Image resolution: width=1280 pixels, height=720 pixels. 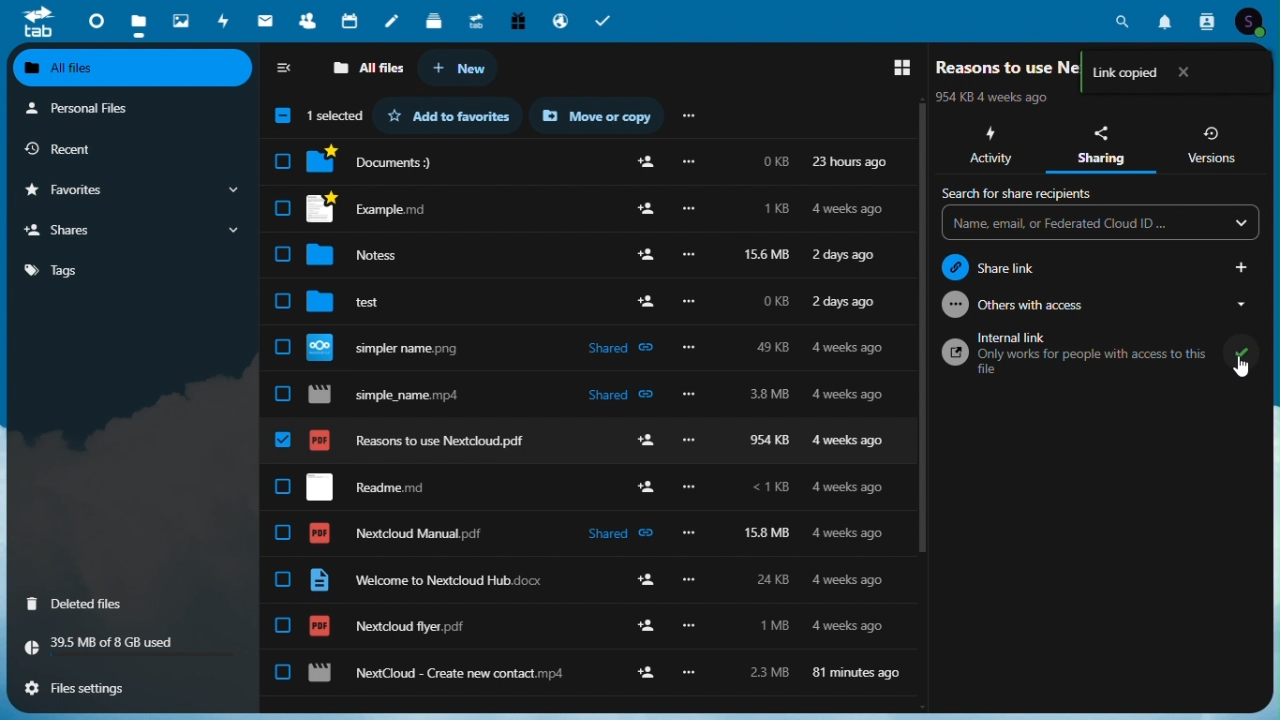 I want to click on storage, so click(x=131, y=646).